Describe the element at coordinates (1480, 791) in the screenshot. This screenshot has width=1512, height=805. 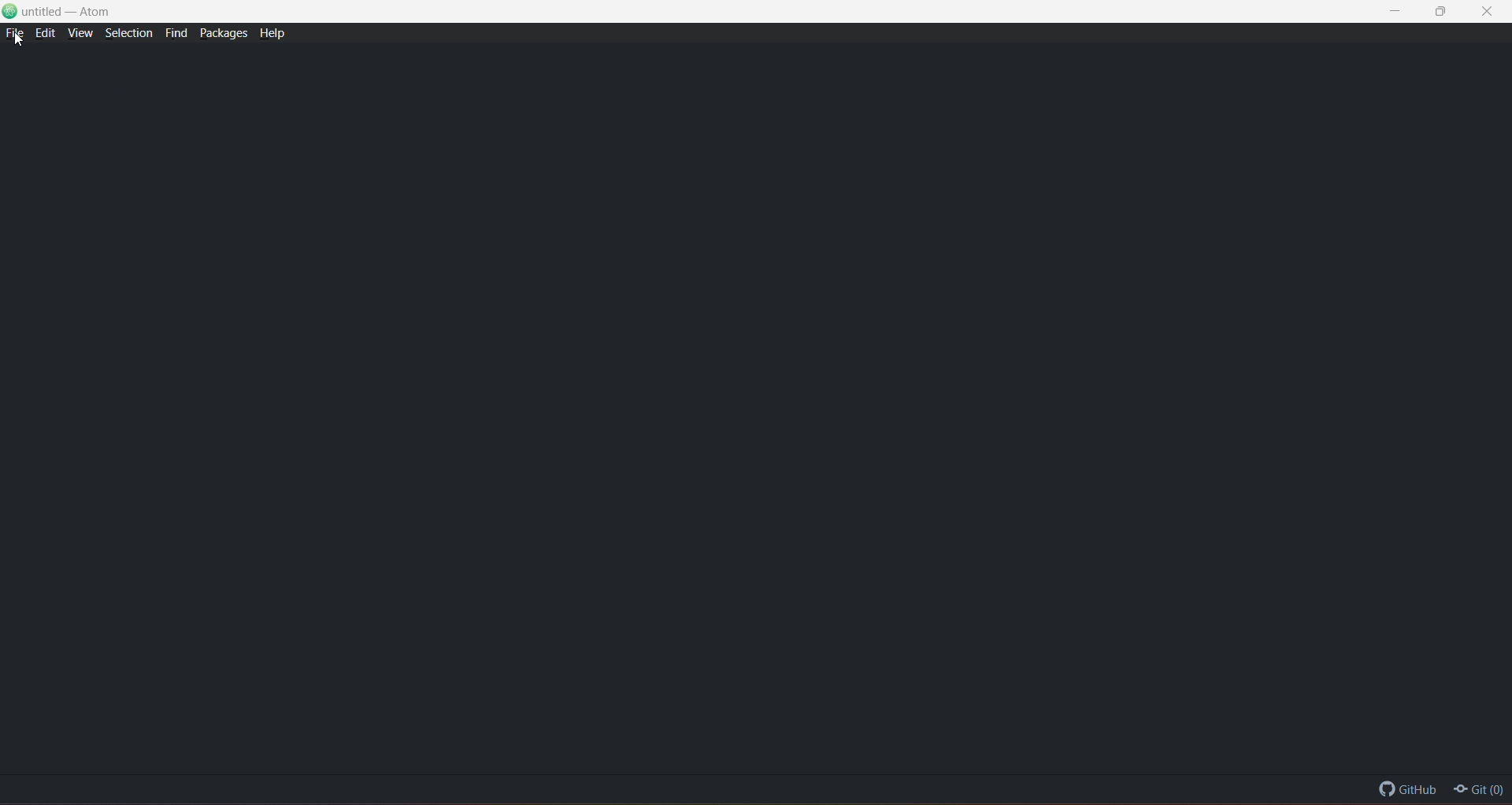
I see `Git(0)` at that location.